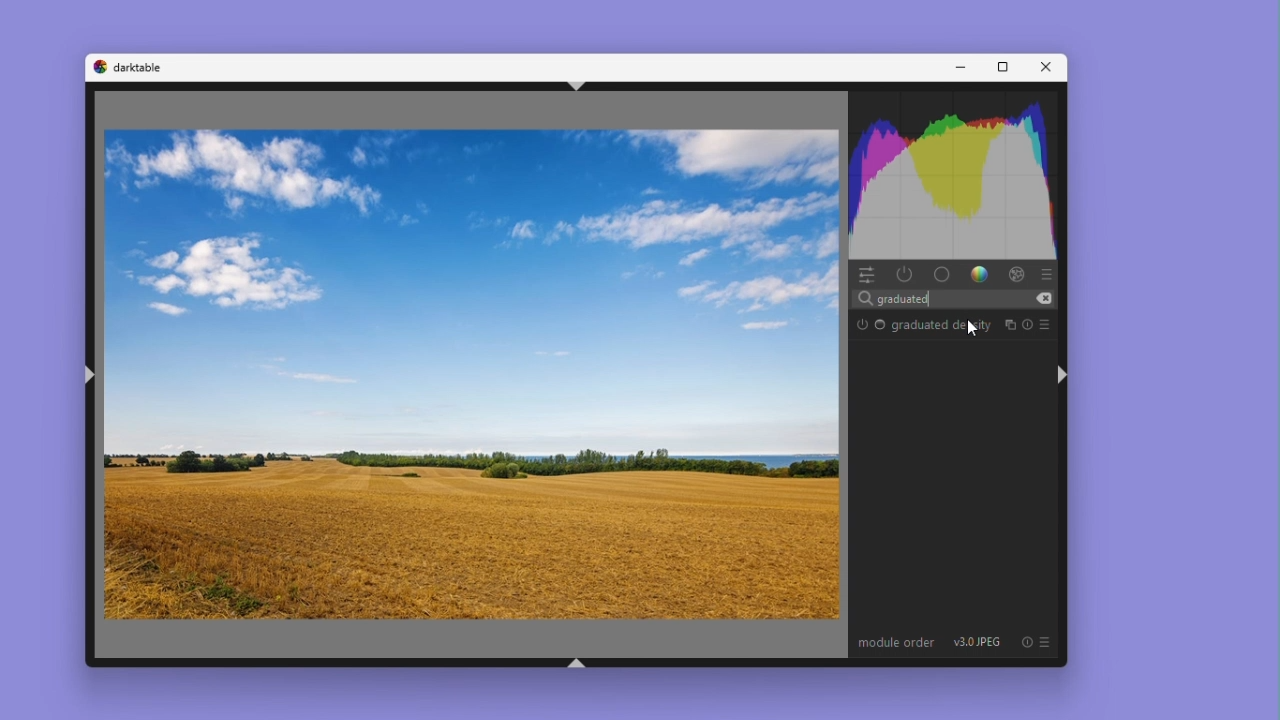  I want to click on Quick access, so click(866, 274).